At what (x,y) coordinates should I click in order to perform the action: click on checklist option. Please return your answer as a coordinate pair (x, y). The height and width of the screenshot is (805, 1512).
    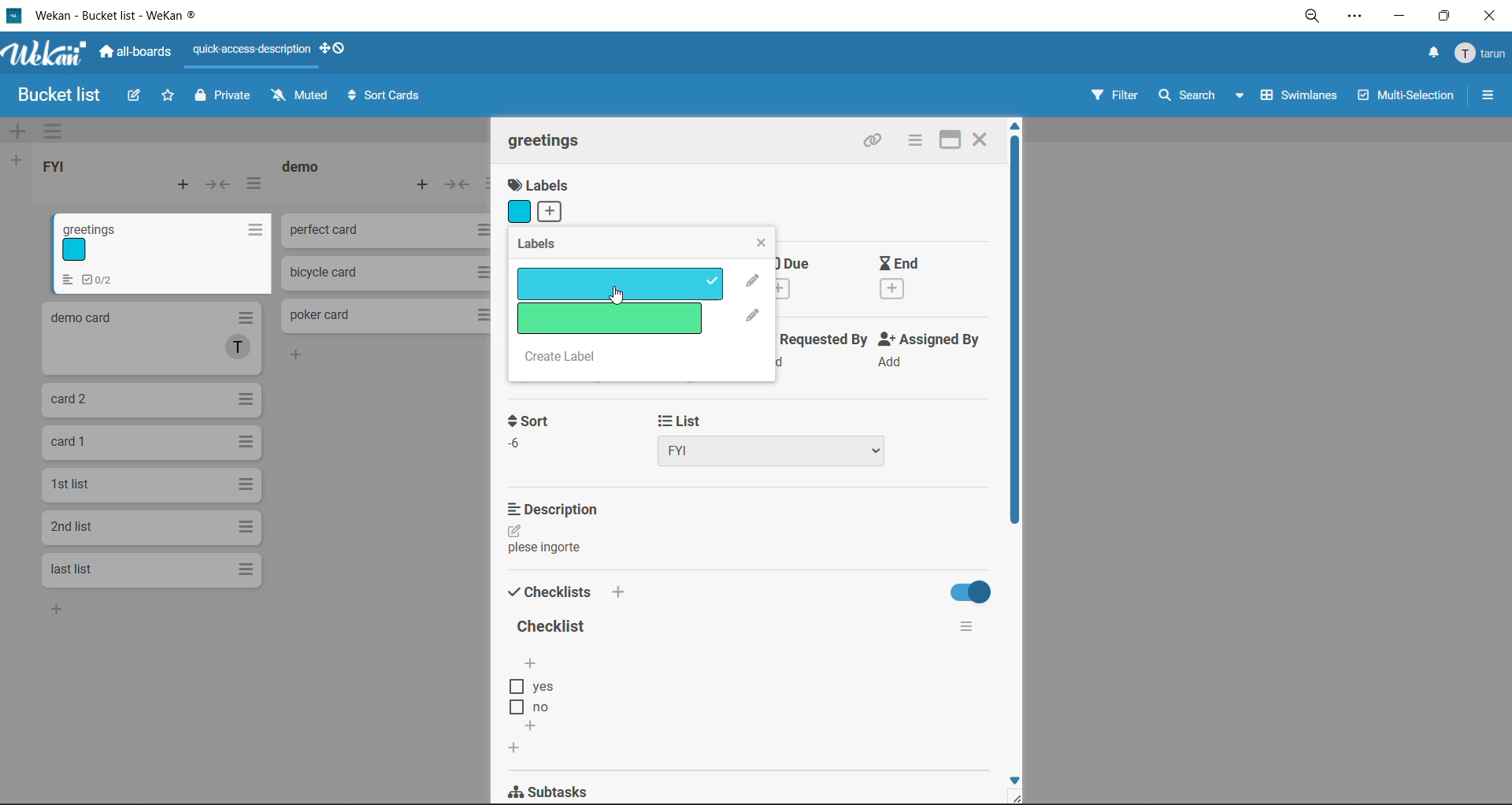
    Looking at the image, I should click on (544, 708).